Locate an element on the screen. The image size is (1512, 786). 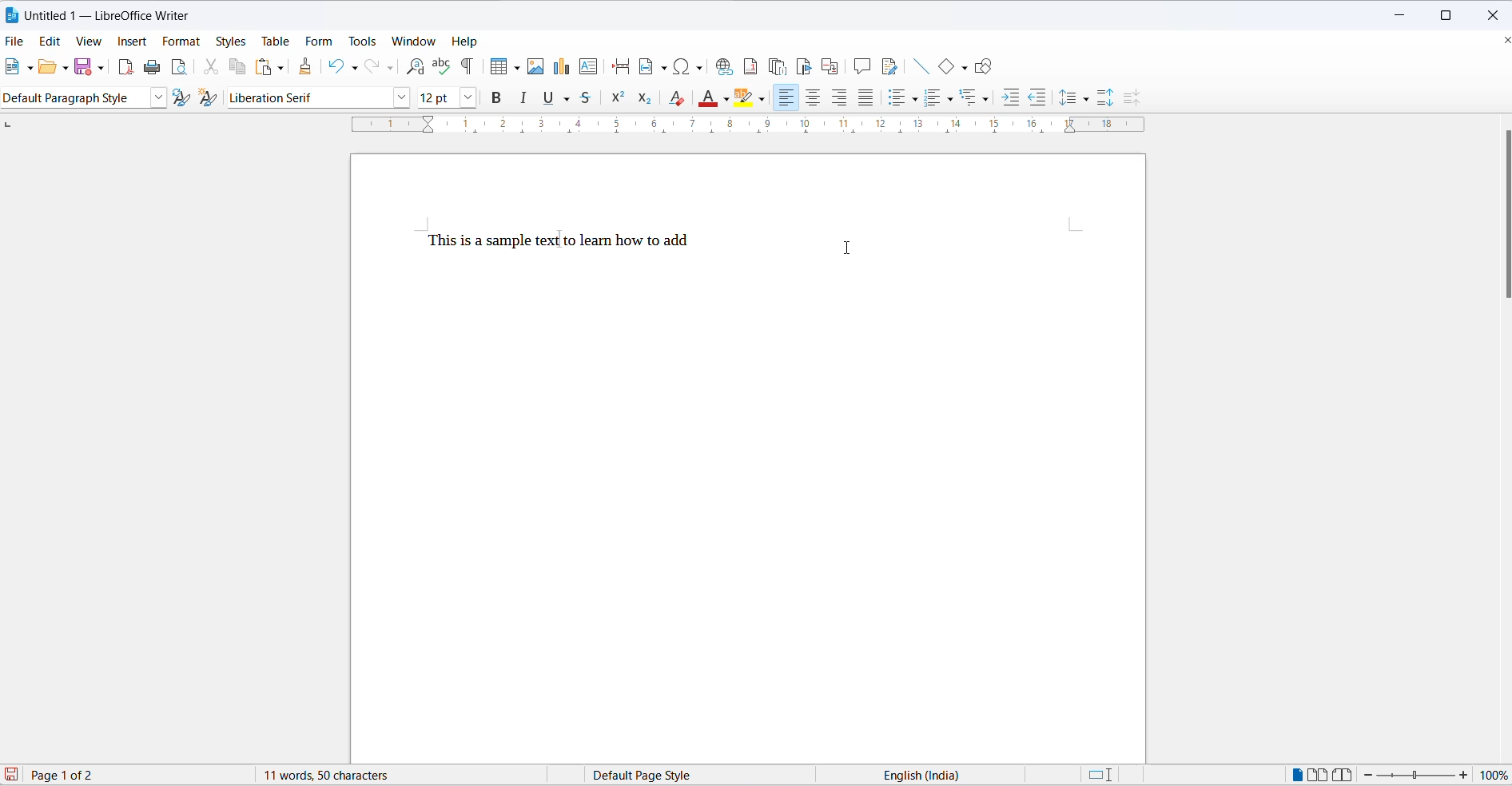
zoom slider is located at coordinates (1417, 776).